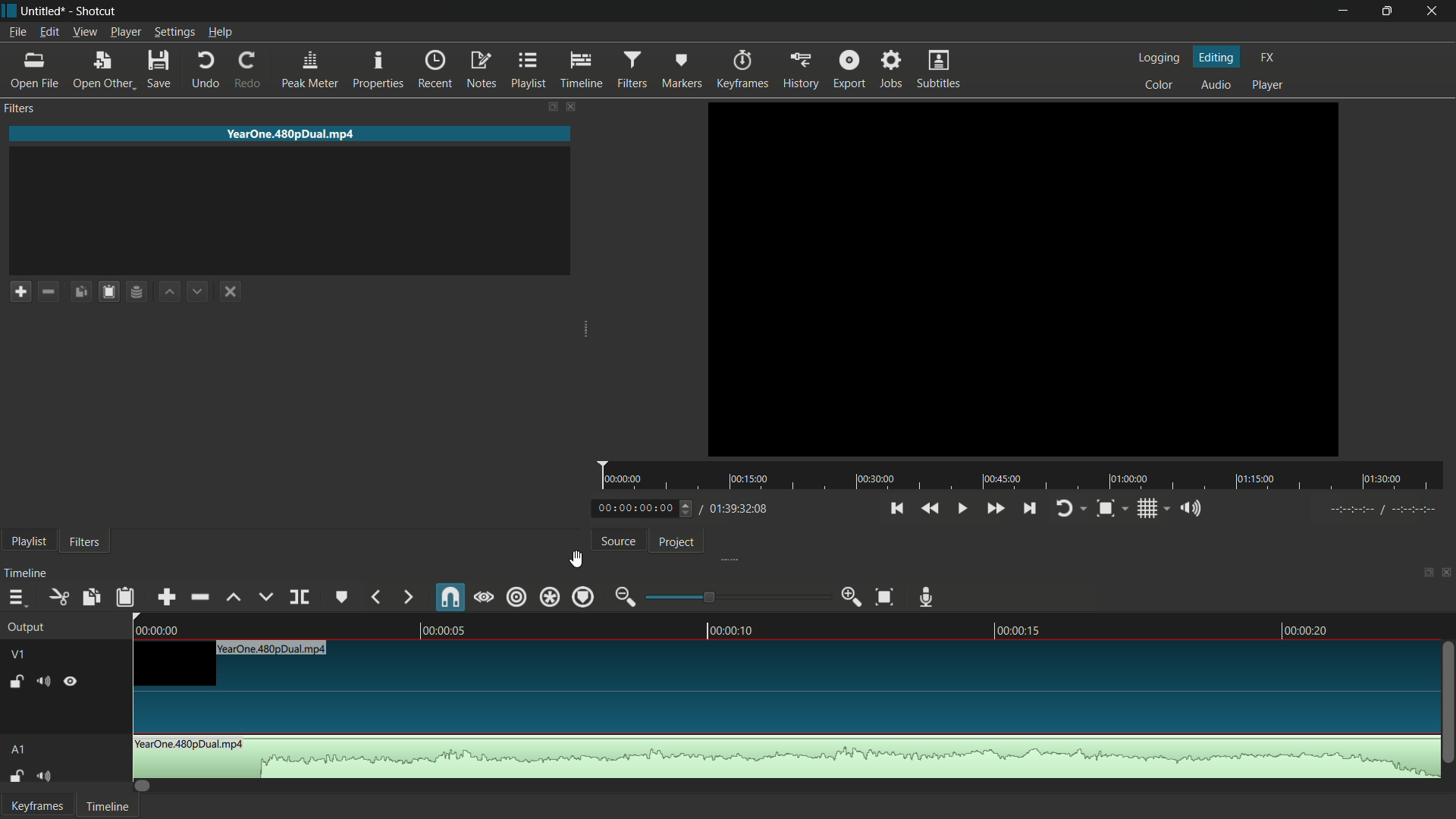 Image resolution: width=1456 pixels, height=819 pixels. I want to click on filters, so click(86, 541).